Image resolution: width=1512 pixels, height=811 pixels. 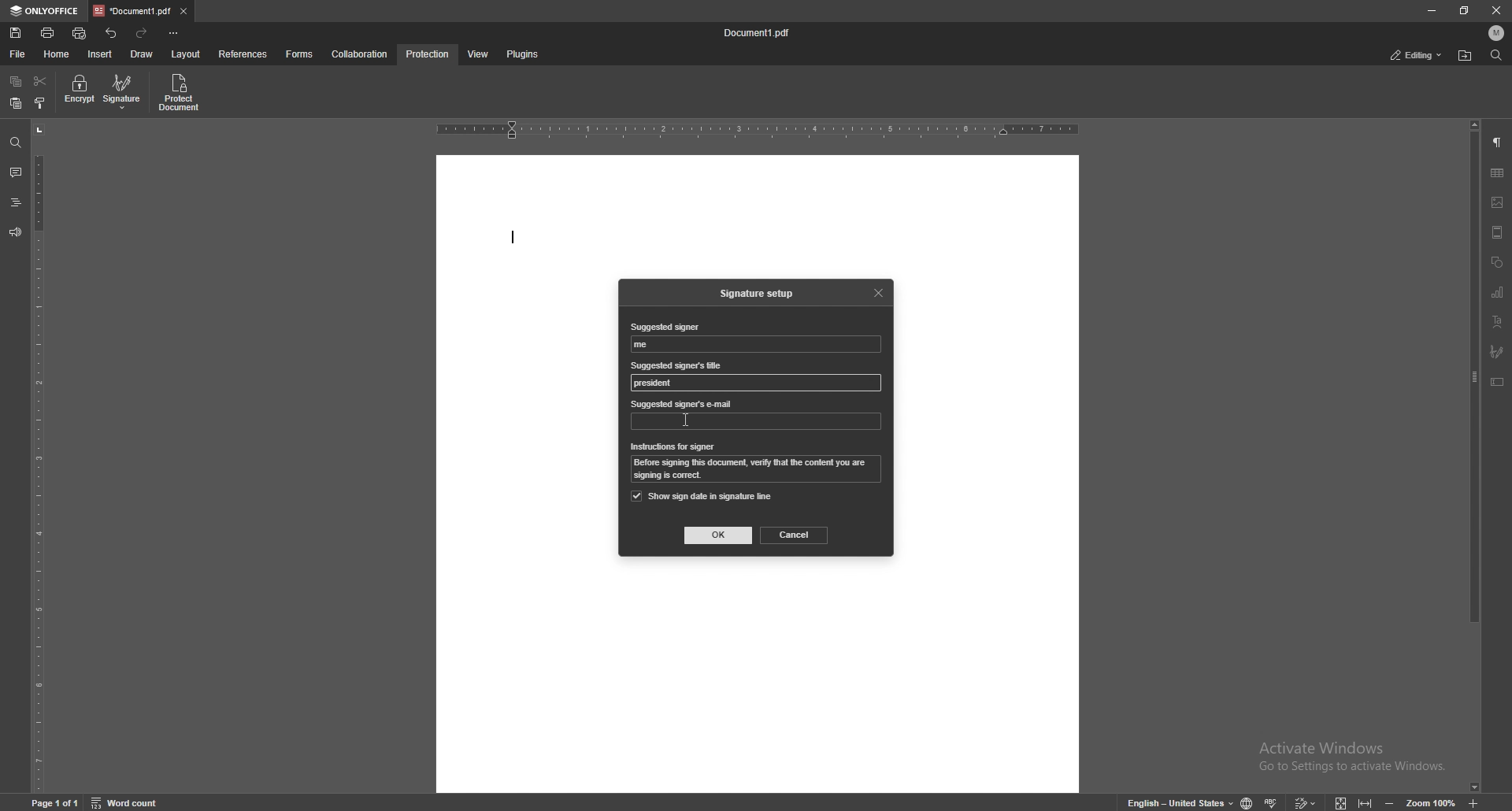 I want to click on horizontal scale, so click(x=758, y=131).